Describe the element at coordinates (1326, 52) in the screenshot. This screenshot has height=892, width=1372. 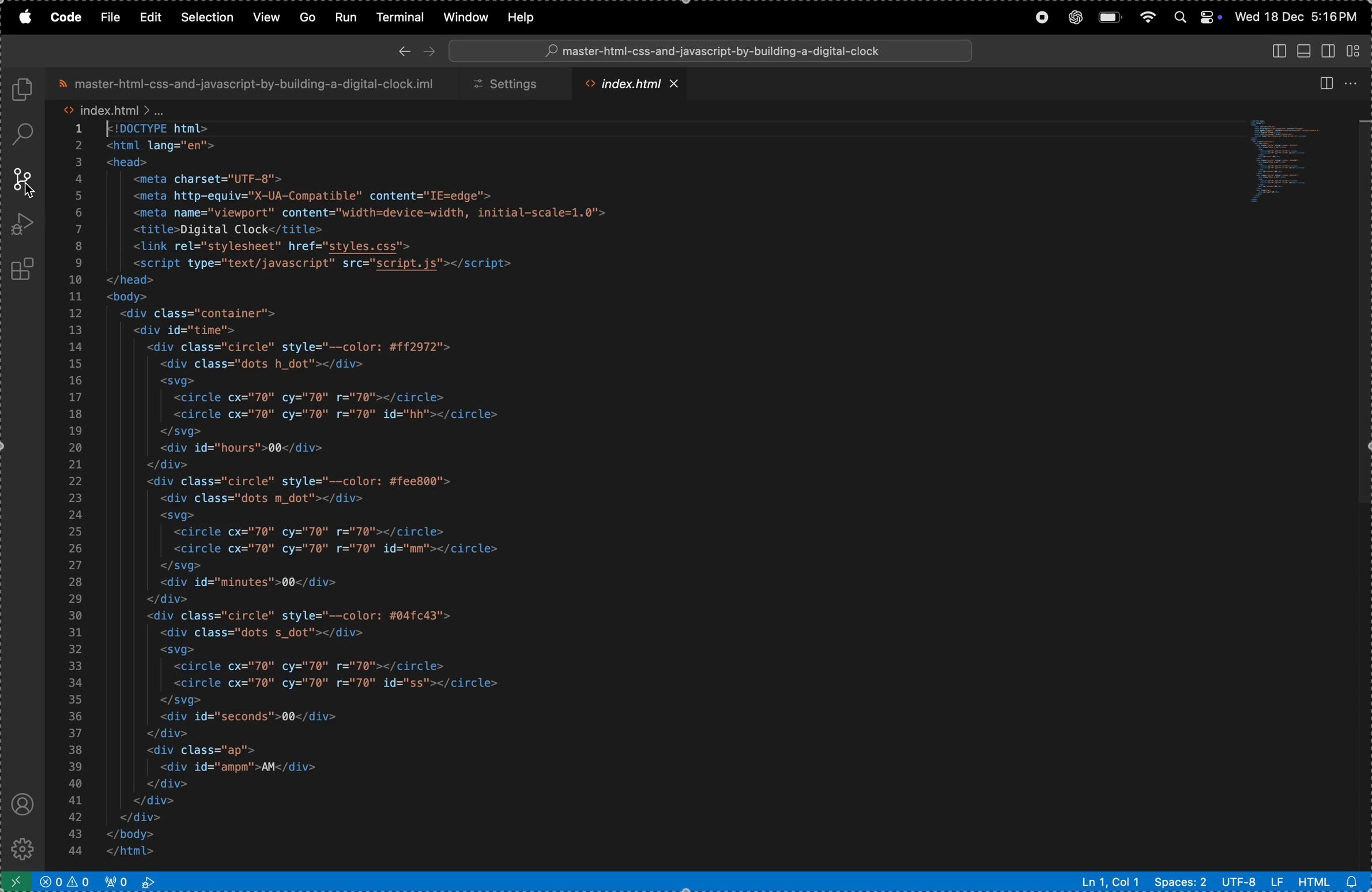
I see `secondary side bar` at that location.